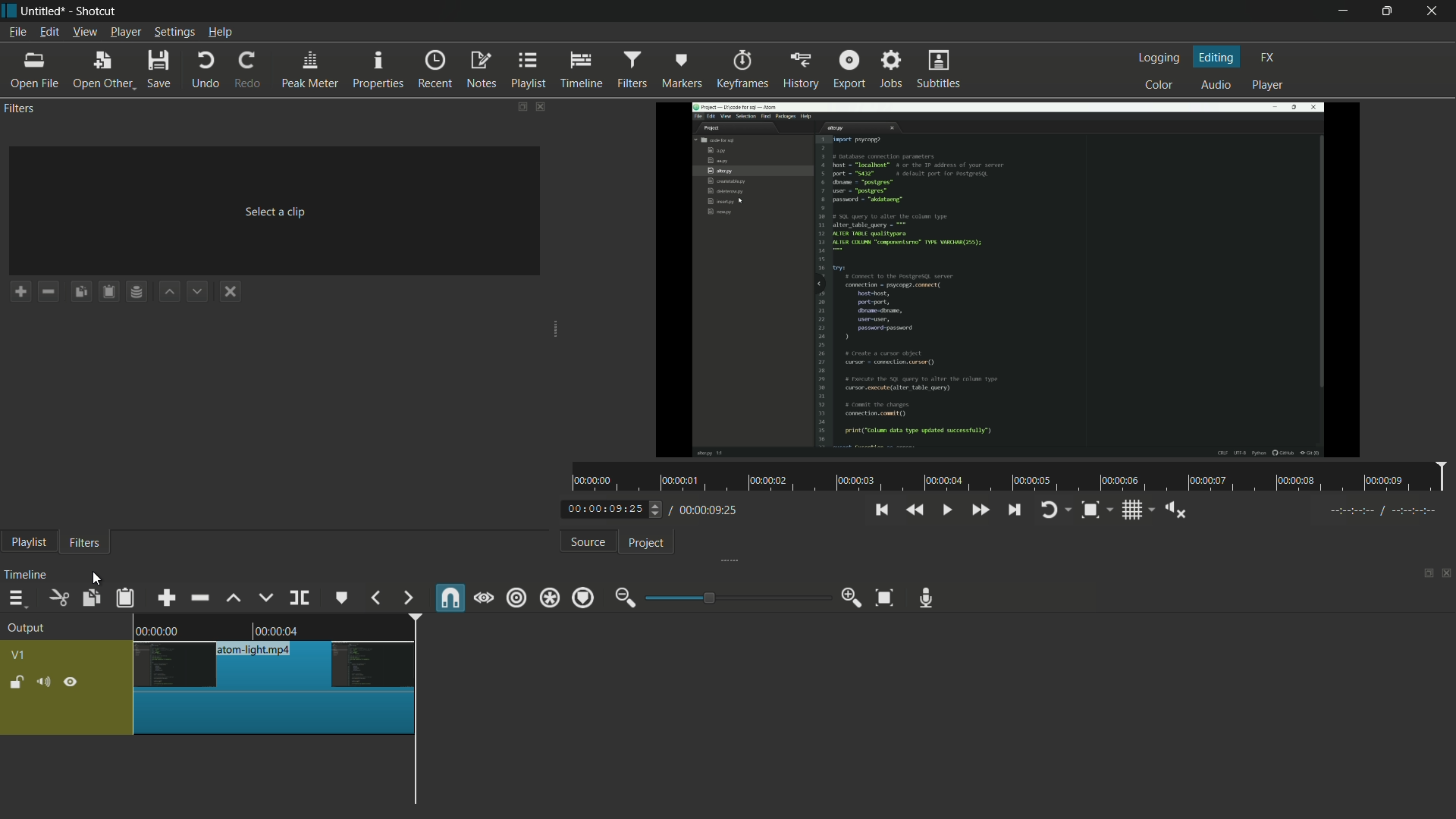 This screenshot has width=1456, height=819. Describe the element at coordinates (234, 598) in the screenshot. I see `lift` at that location.